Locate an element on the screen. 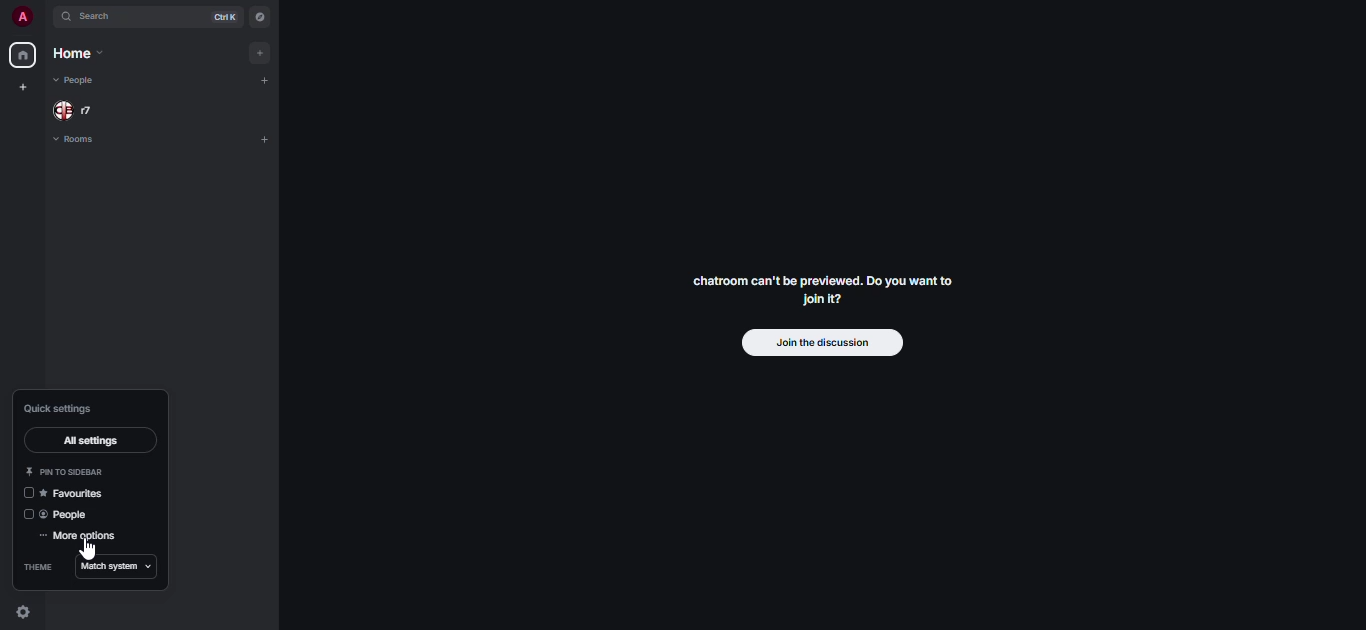 Image resolution: width=1366 pixels, height=630 pixels. more options is located at coordinates (82, 536).